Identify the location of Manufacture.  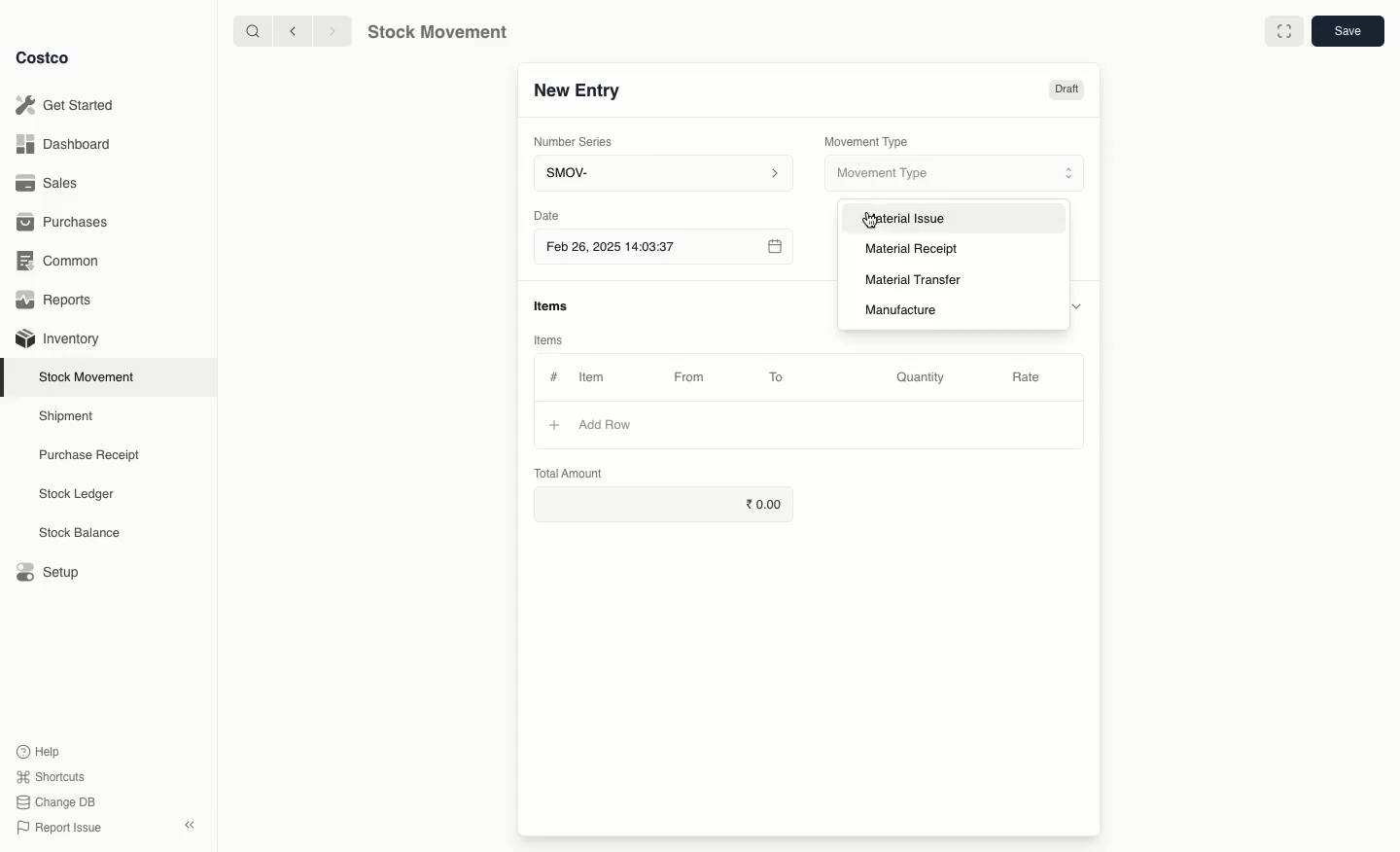
(903, 308).